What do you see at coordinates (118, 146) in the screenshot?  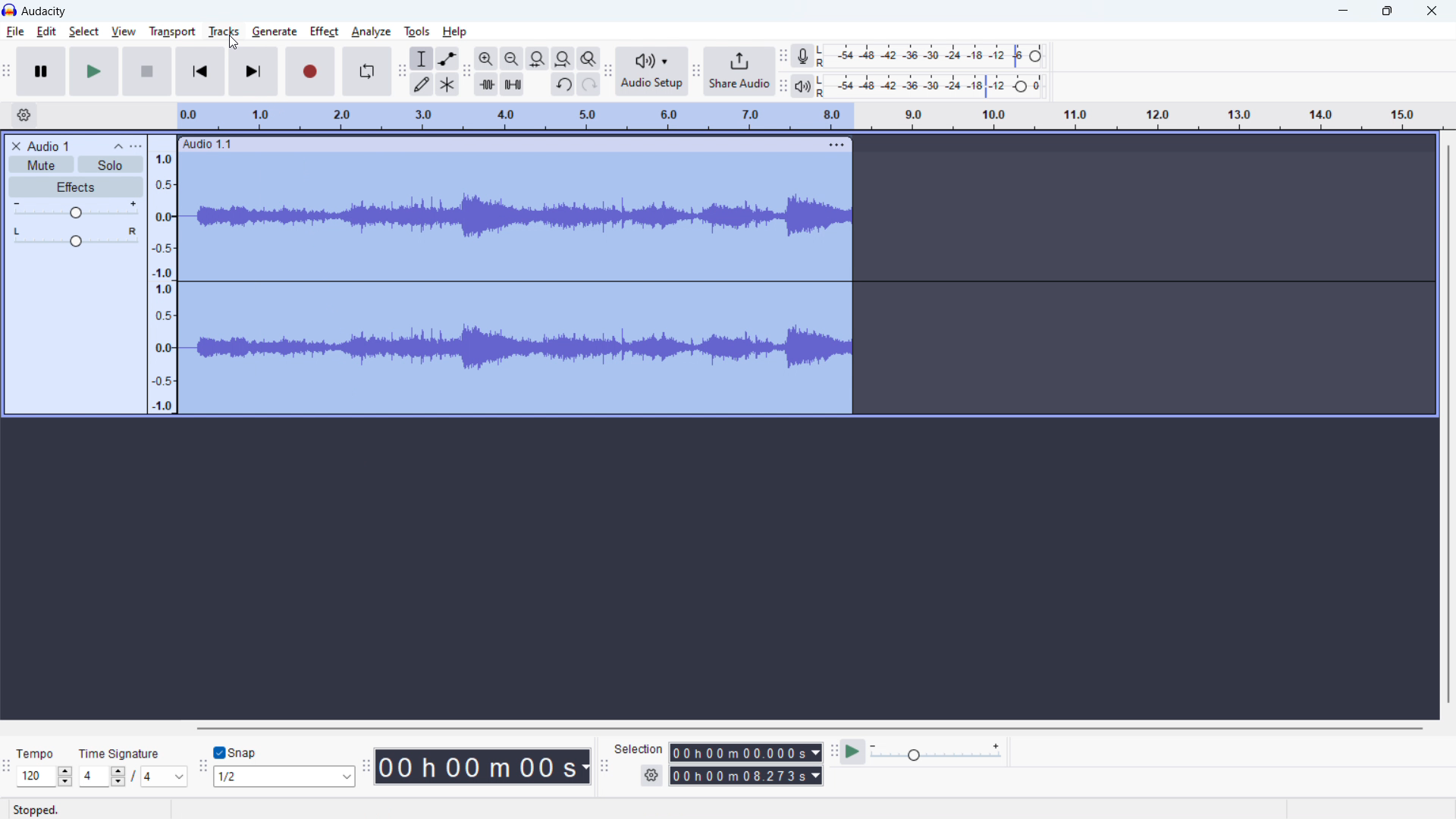 I see `collapse` at bounding box center [118, 146].